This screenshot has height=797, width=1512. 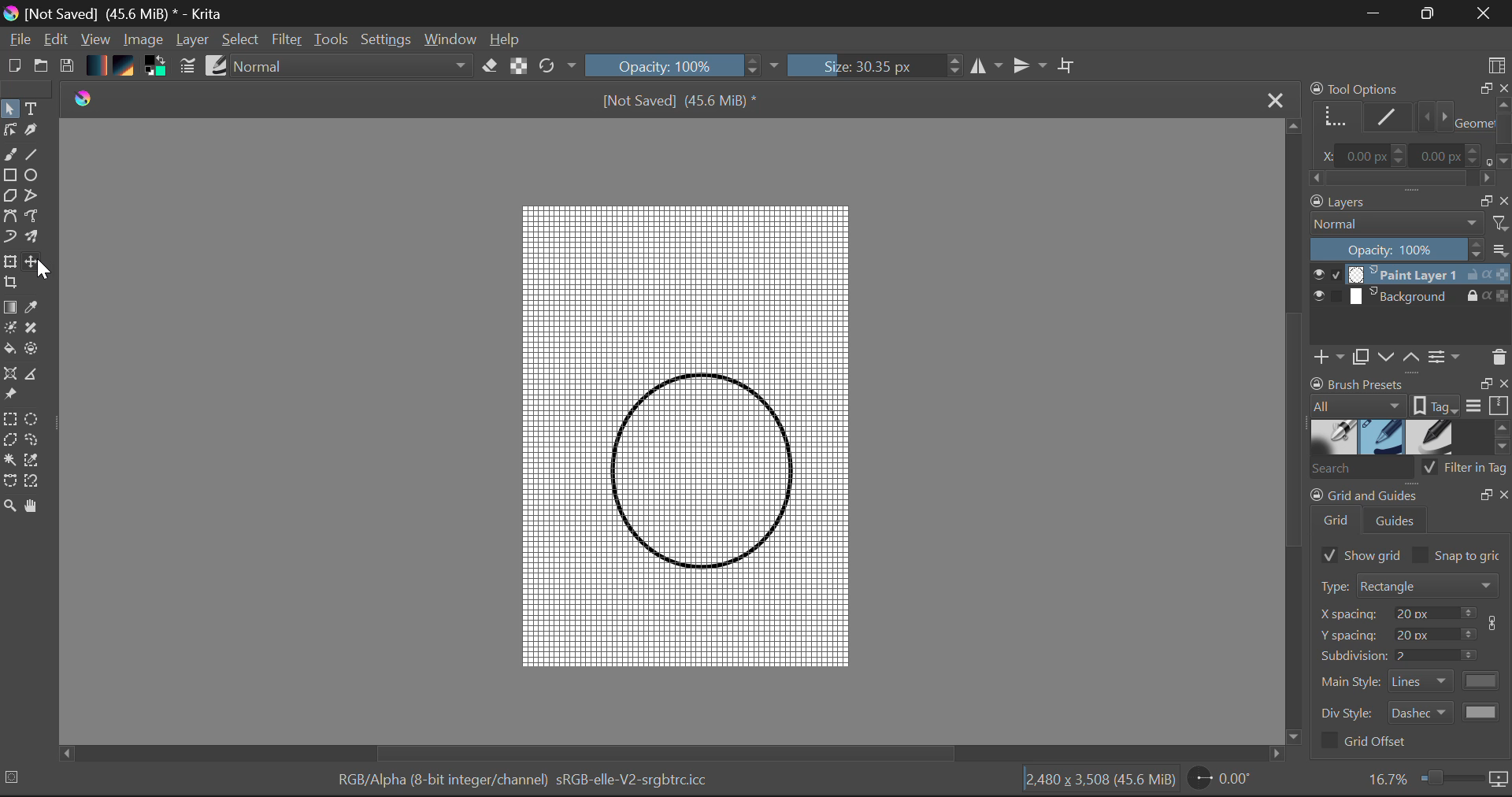 What do you see at coordinates (11, 375) in the screenshot?
I see `Assistant Tool` at bounding box center [11, 375].